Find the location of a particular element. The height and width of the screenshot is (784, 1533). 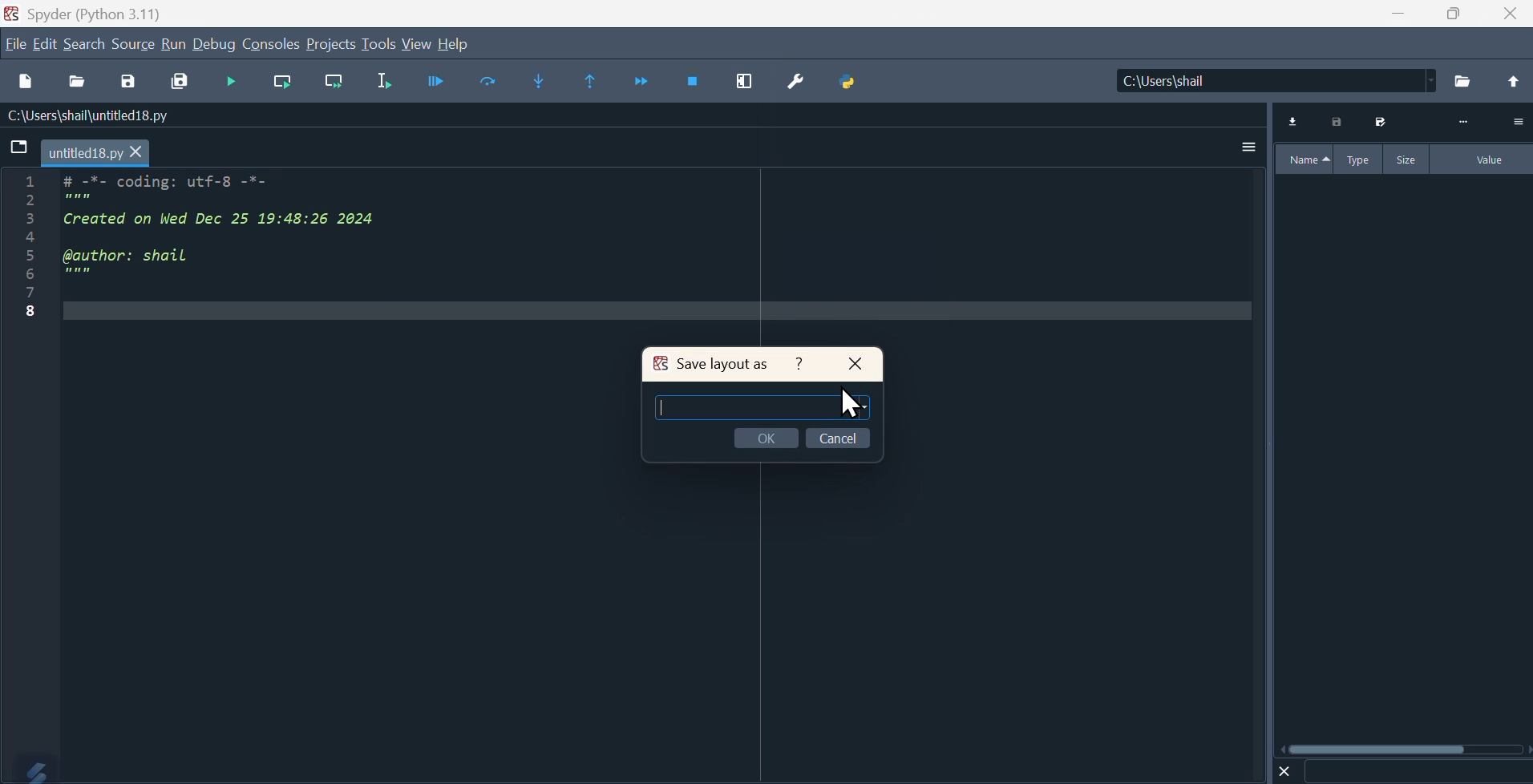

File is located at coordinates (15, 43).